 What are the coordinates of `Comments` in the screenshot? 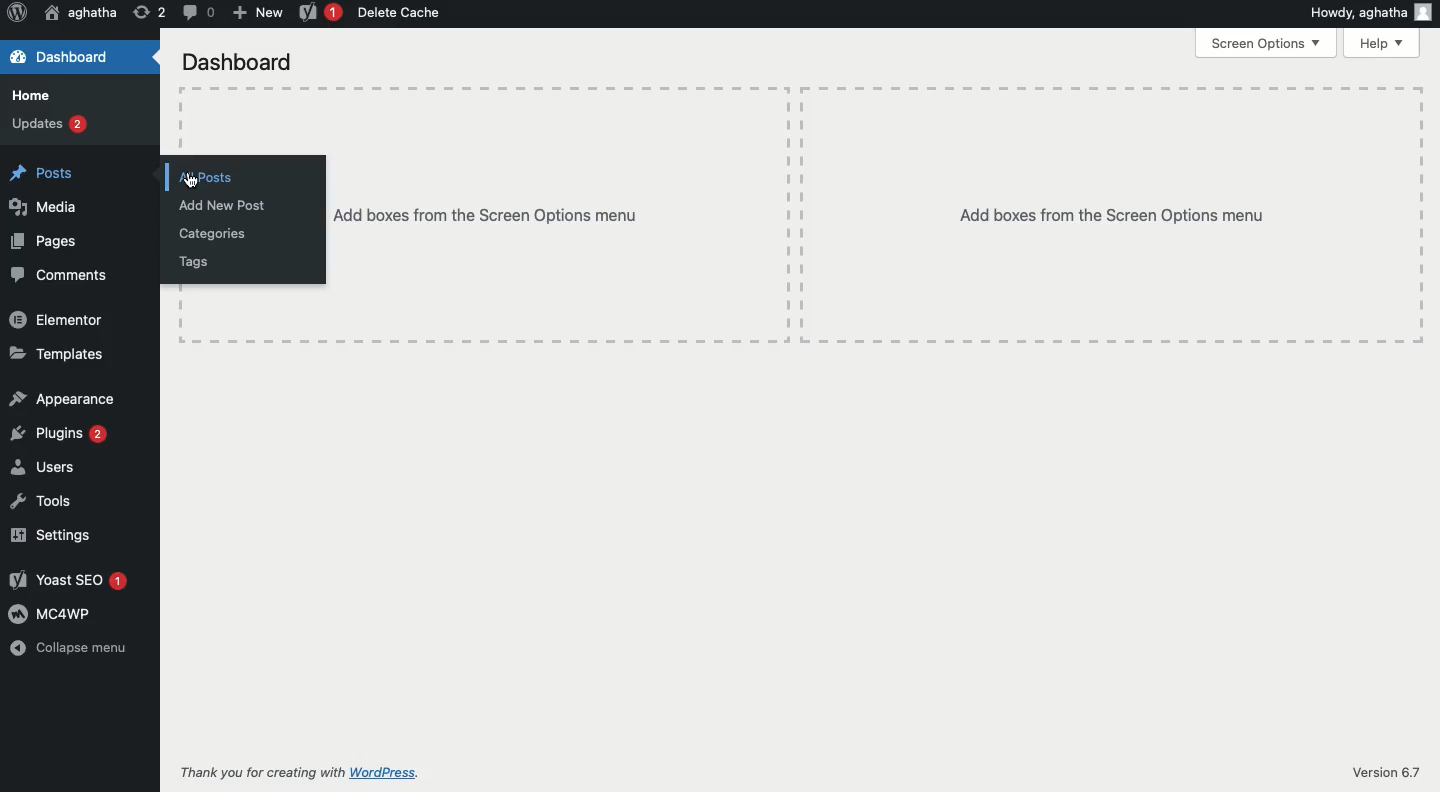 It's located at (61, 275).